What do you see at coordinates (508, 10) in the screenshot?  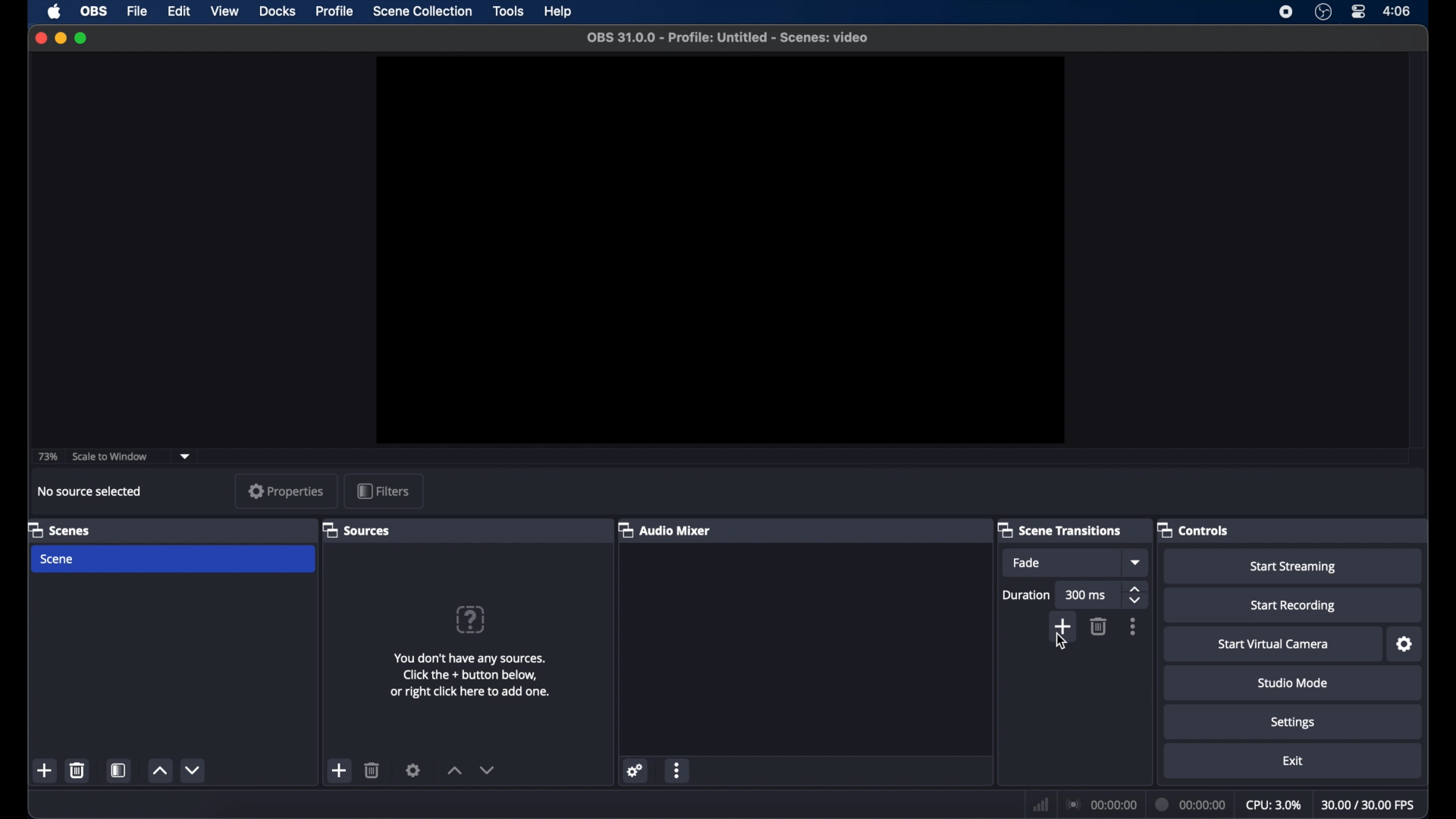 I see `tools` at bounding box center [508, 10].